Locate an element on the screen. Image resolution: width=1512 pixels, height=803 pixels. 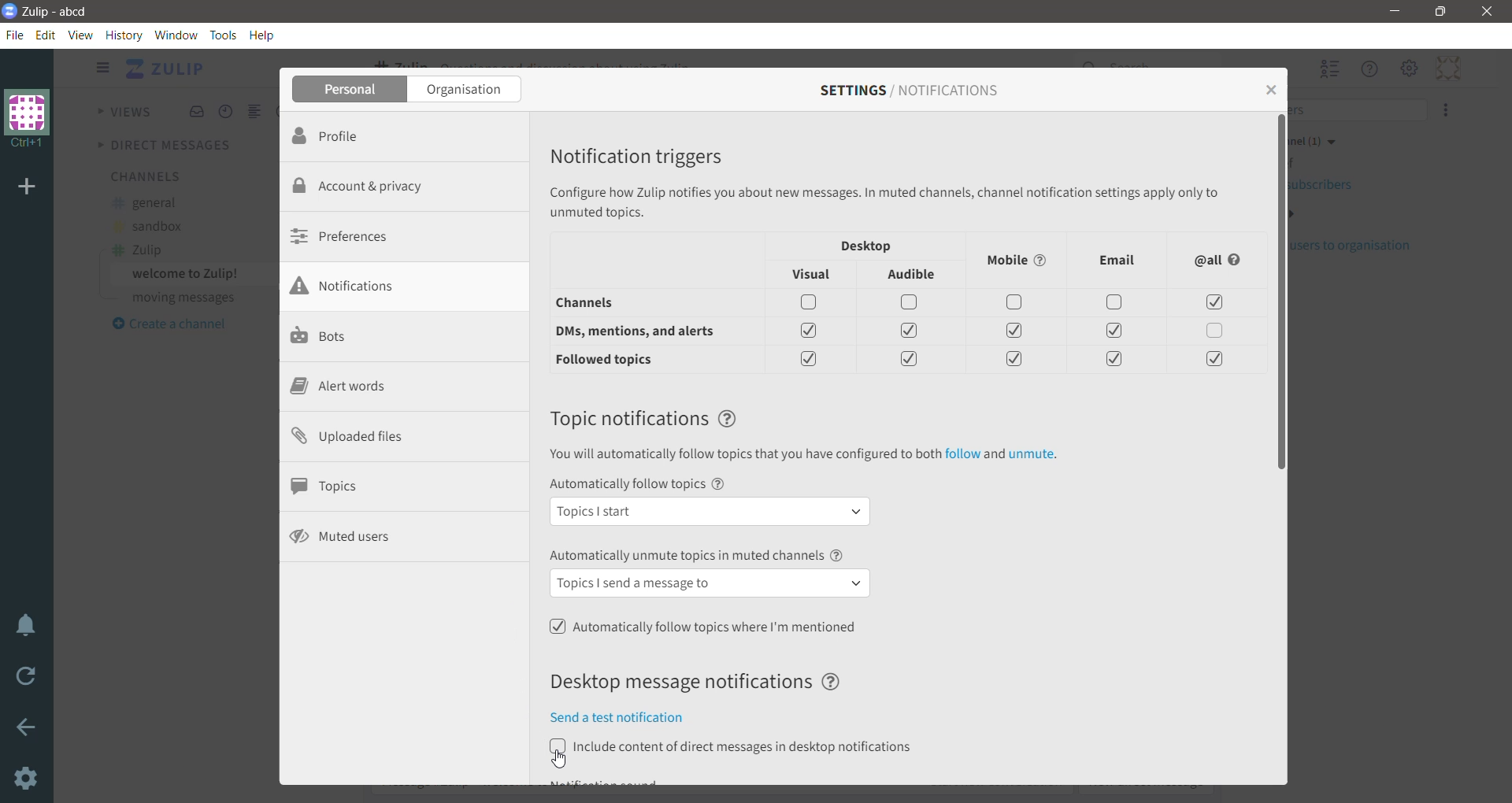
mobile is located at coordinates (1020, 260).